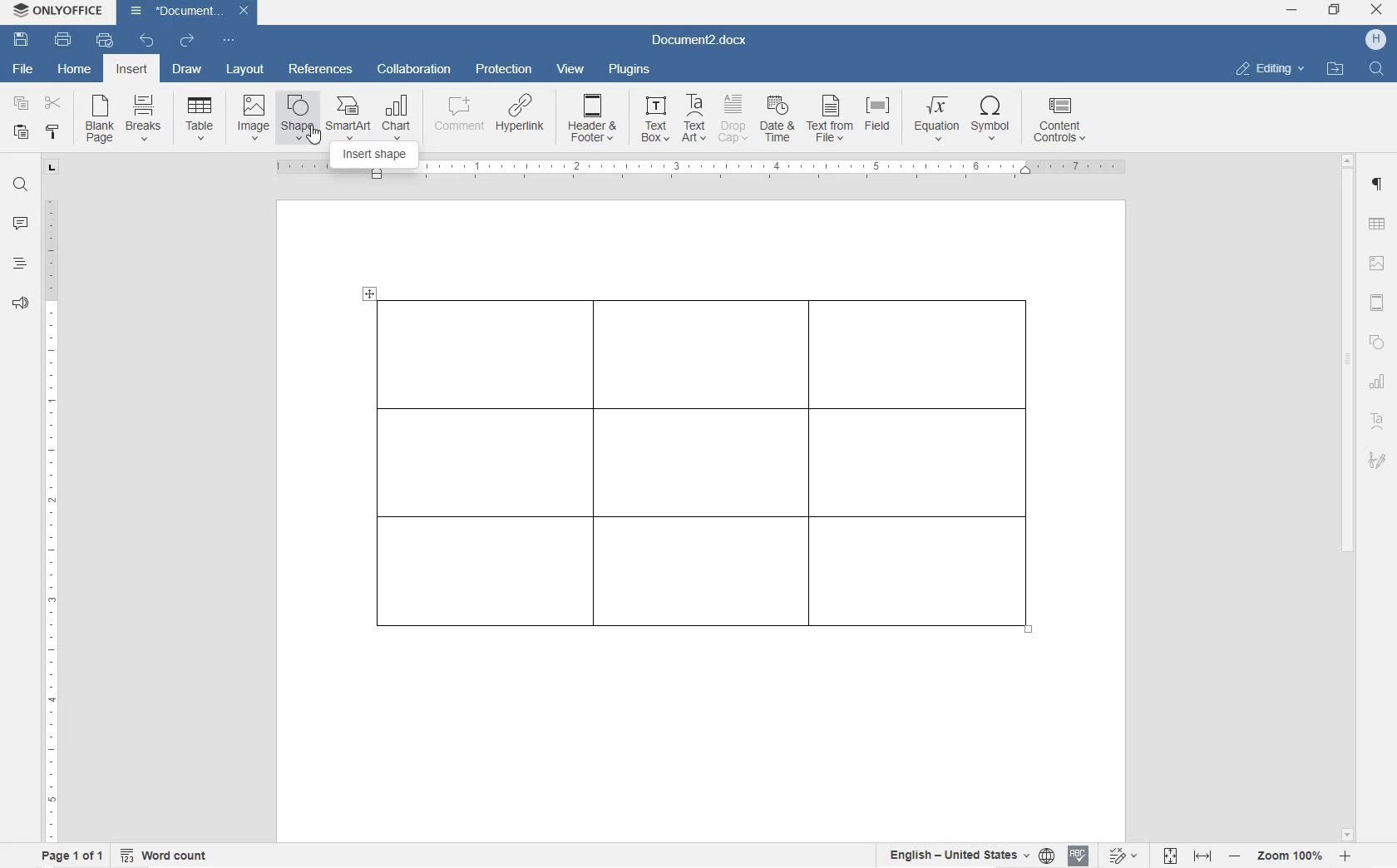  Describe the element at coordinates (53, 170) in the screenshot. I see `tab` at that location.